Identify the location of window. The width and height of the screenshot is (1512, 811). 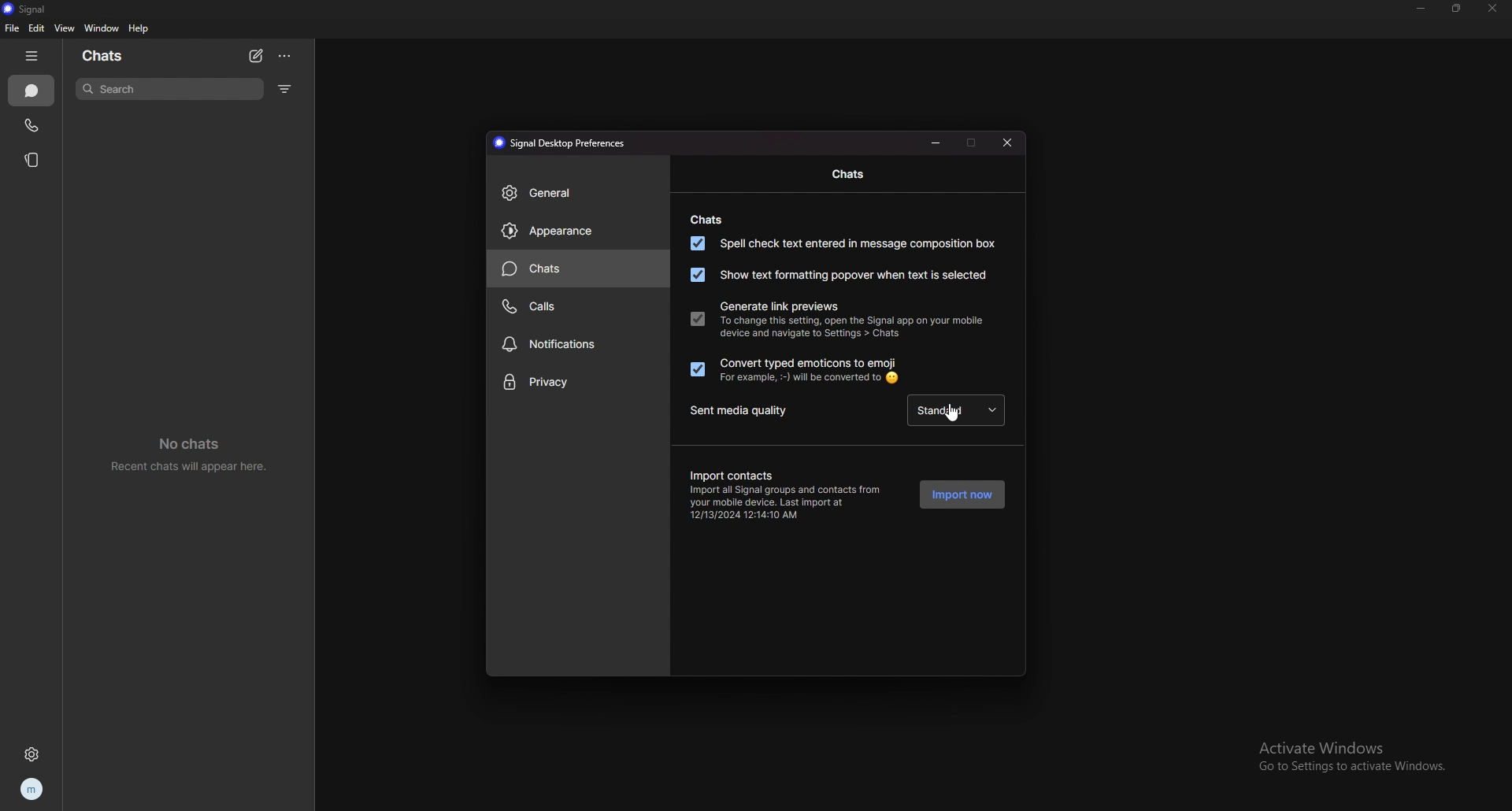
(102, 28).